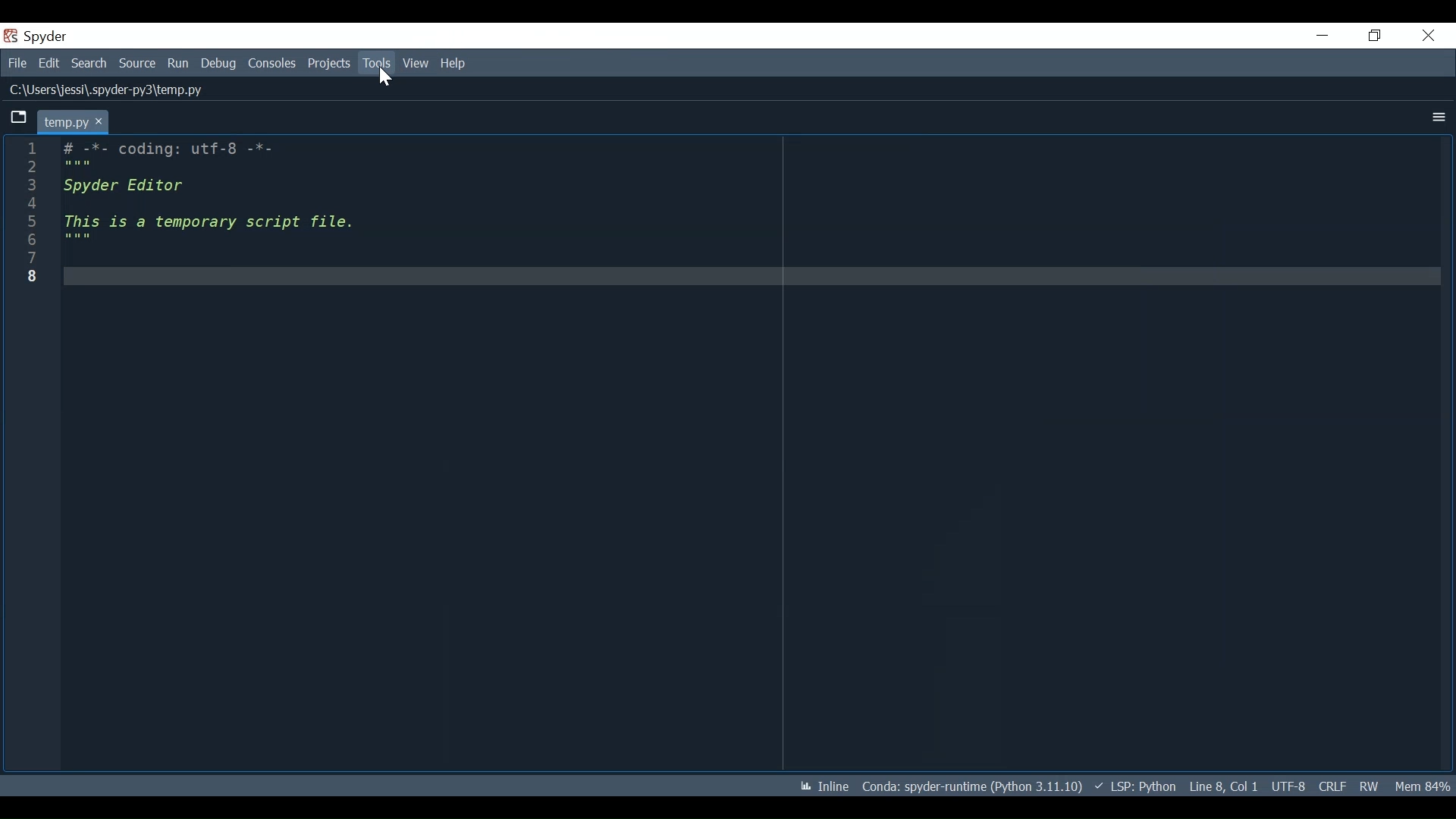  What do you see at coordinates (220, 65) in the screenshot?
I see `Debug` at bounding box center [220, 65].